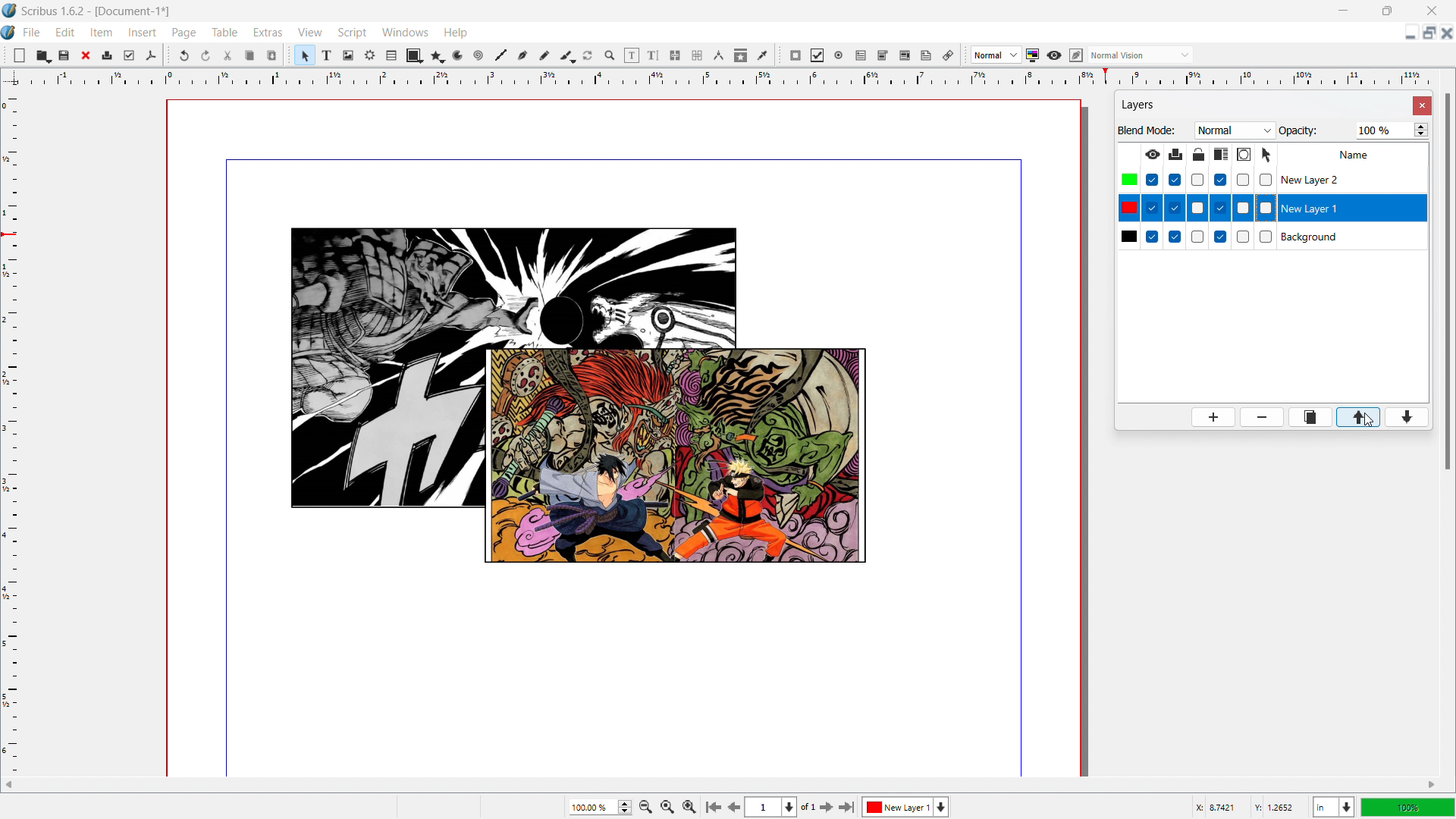 This screenshot has width=1456, height=819. What do you see at coordinates (883, 55) in the screenshot?
I see `pdf combo box` at bounding box center [883, 55].